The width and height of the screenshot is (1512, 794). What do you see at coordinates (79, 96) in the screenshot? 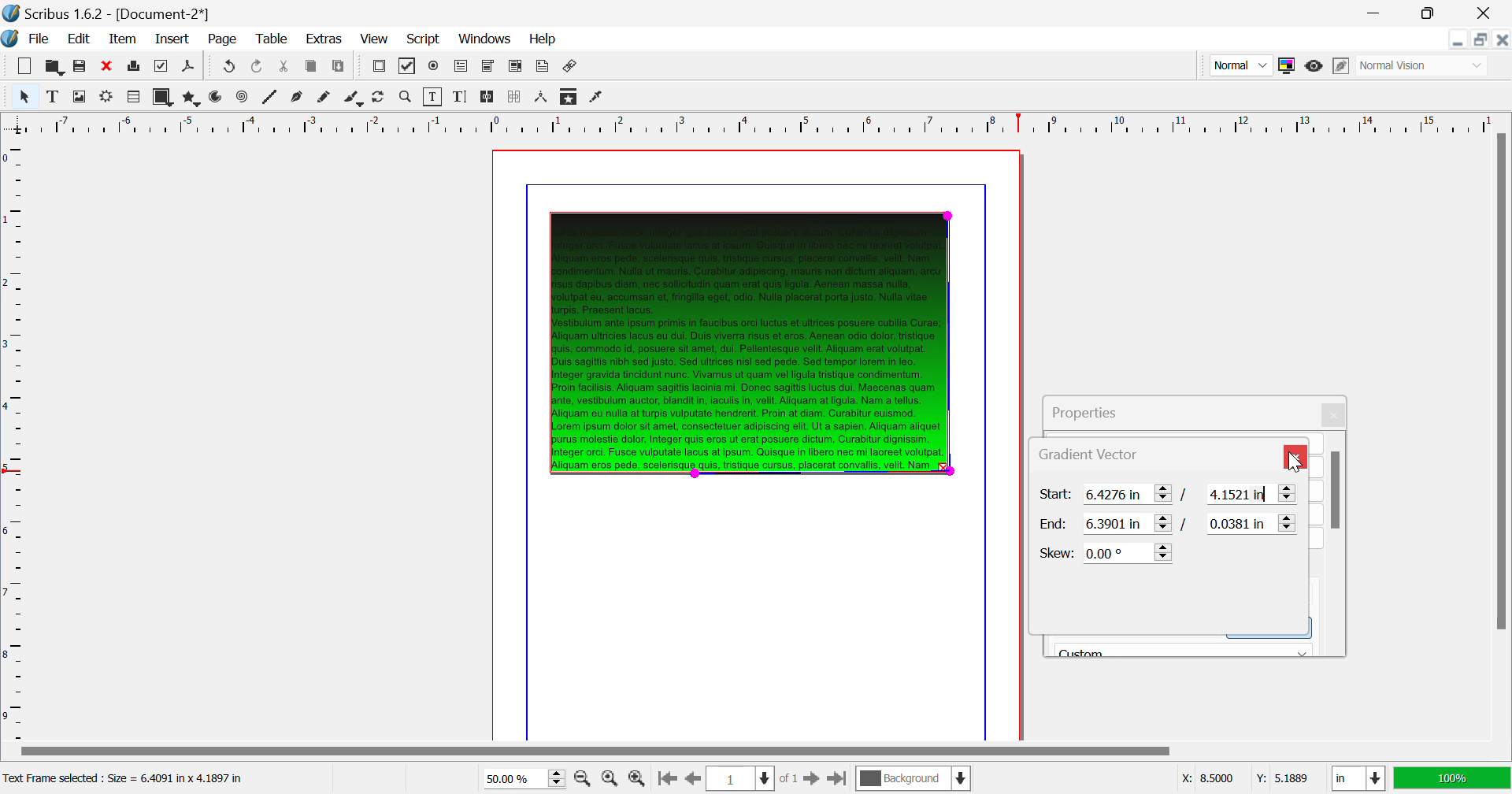
I see `Image Frame` at bounding box center [79, 96].